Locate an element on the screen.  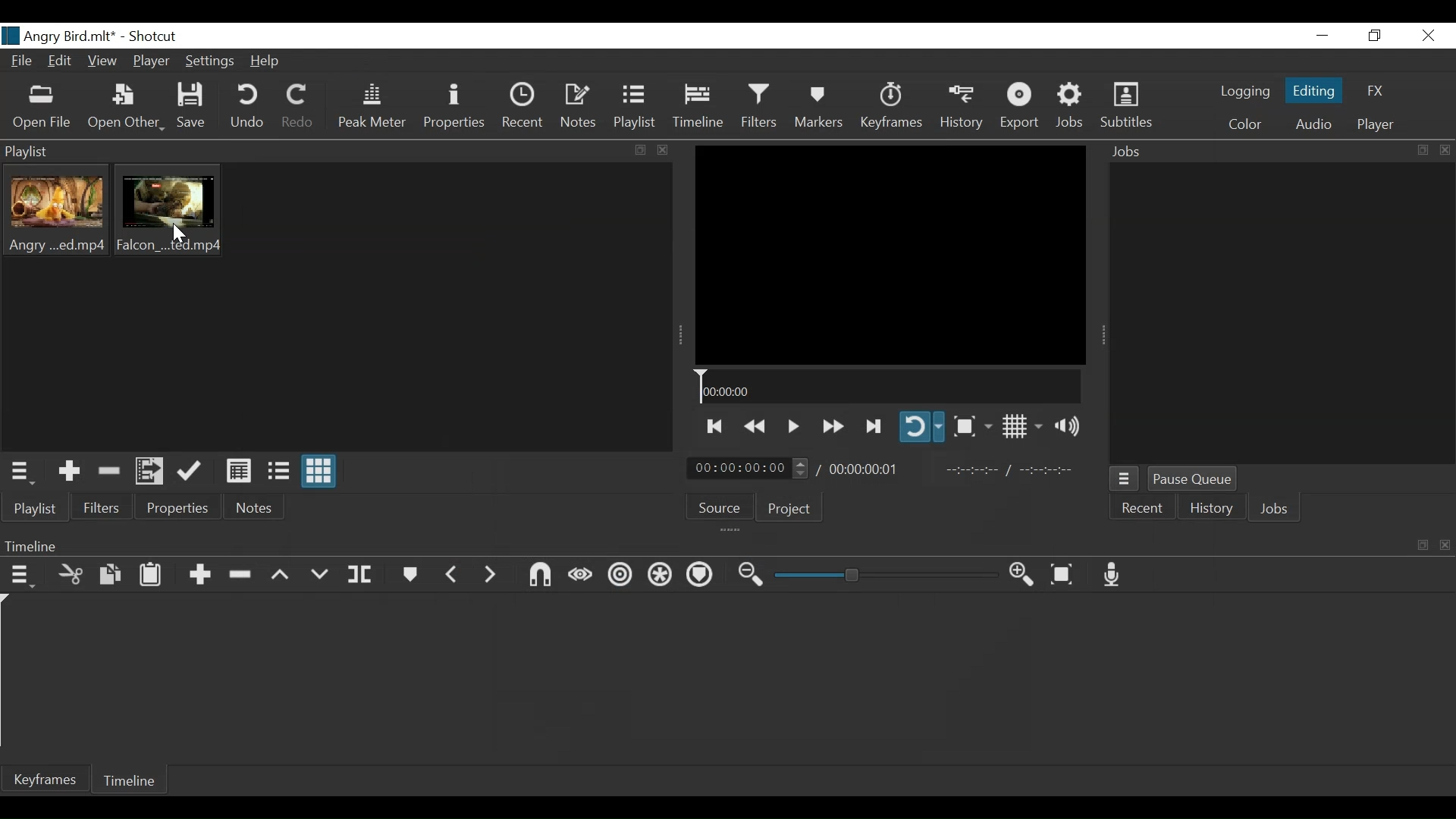
Timeline is located at coordinates (124, 782).